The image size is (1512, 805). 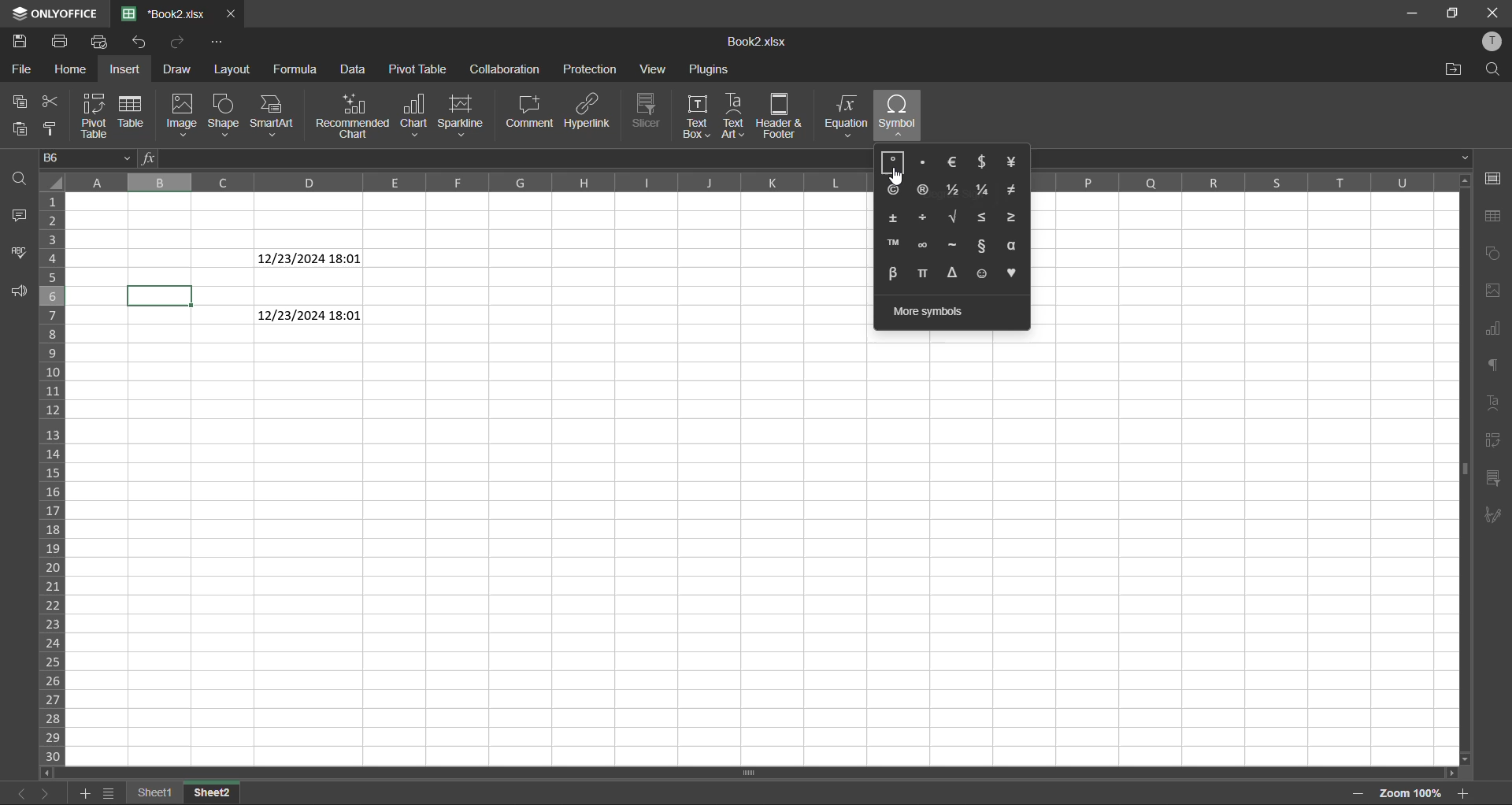 What do you see at coordinates (956, 273) in the screenshot?
I see `delta` at bounding box center [956, 273].